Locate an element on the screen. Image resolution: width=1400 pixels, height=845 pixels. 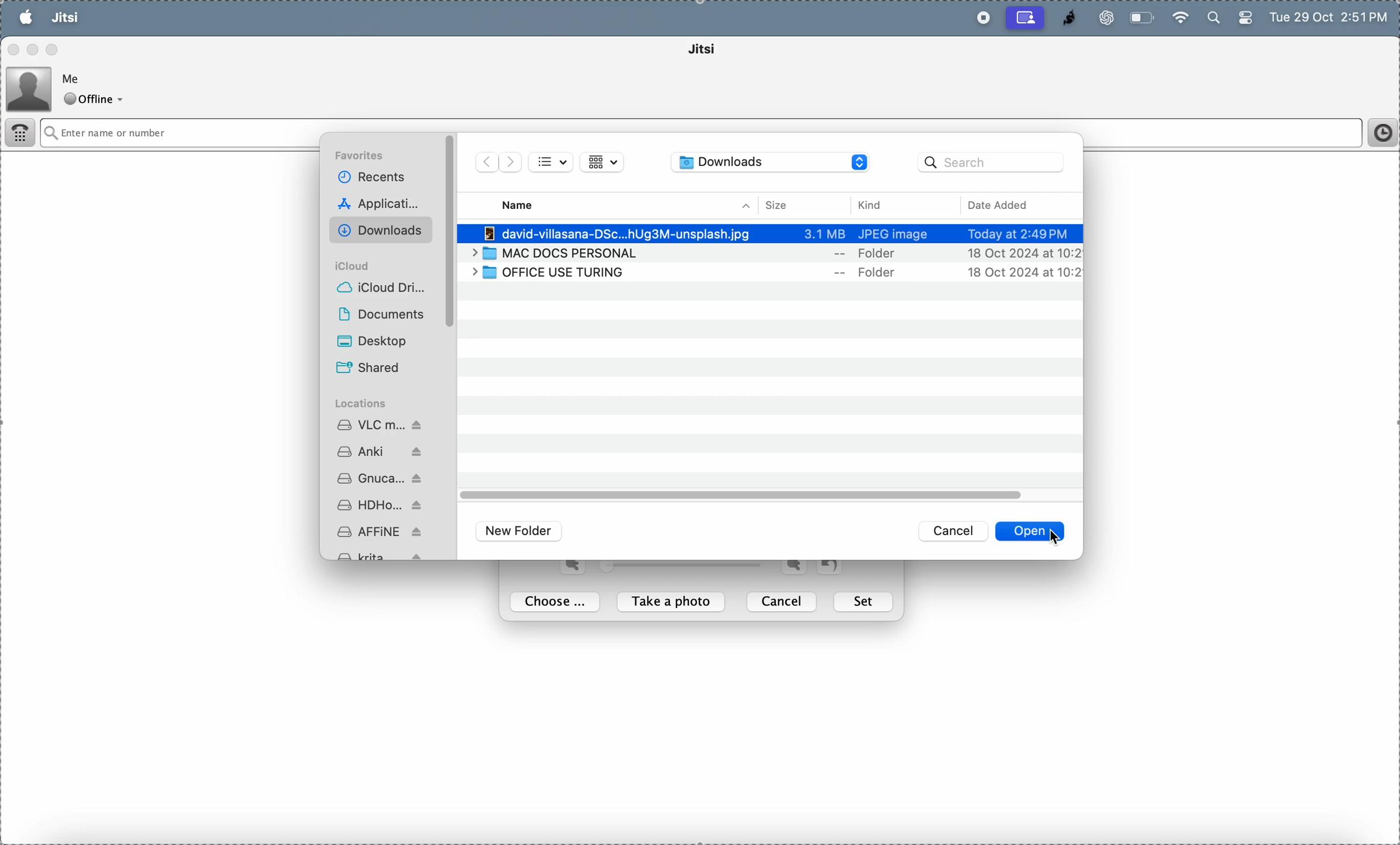
Documents is located at coordinates (387, 313).